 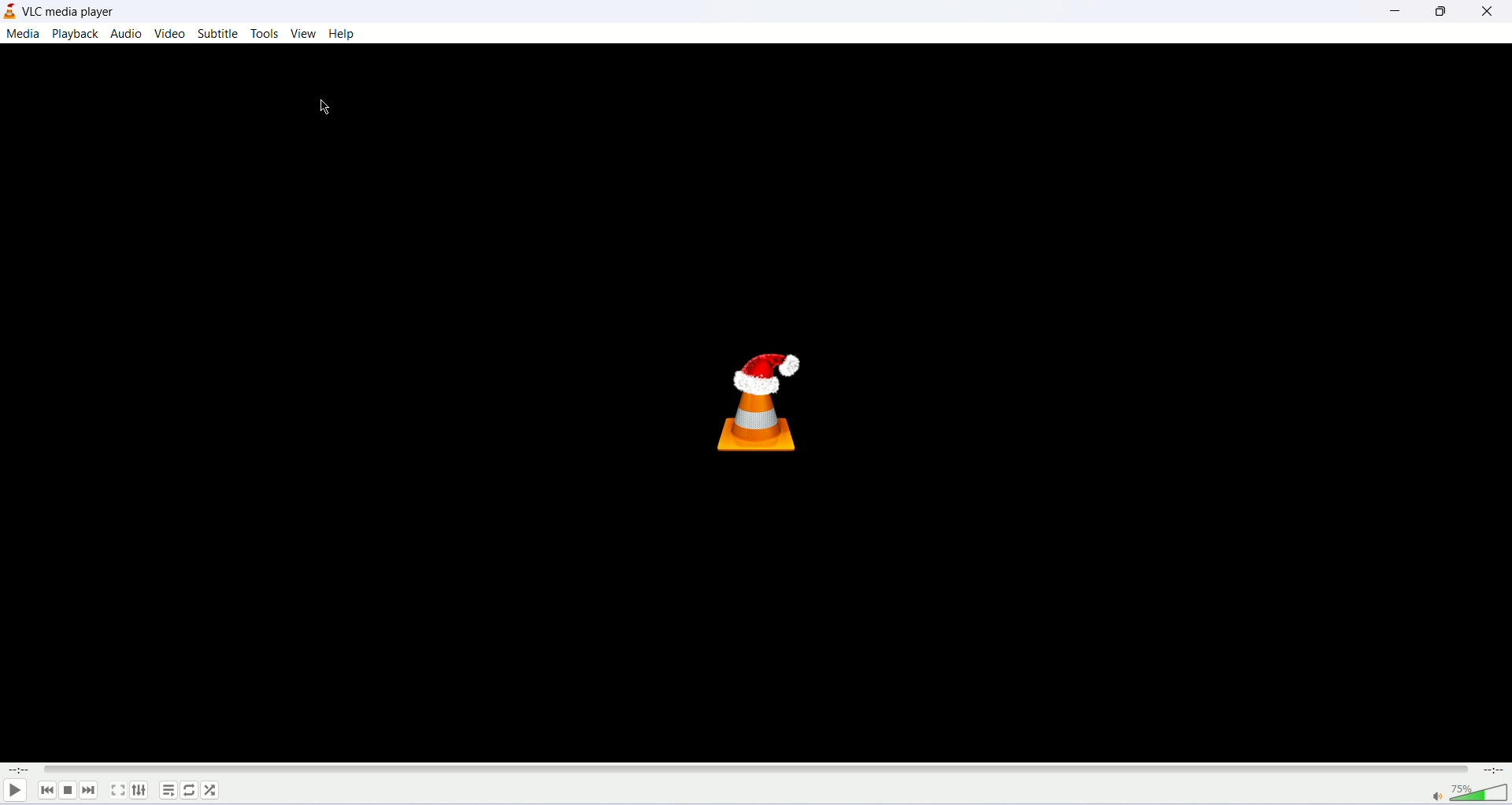 What do you see at coordinates (322, 106) in the screenshot?
I see `cursor` at bounding box center [322, 106].